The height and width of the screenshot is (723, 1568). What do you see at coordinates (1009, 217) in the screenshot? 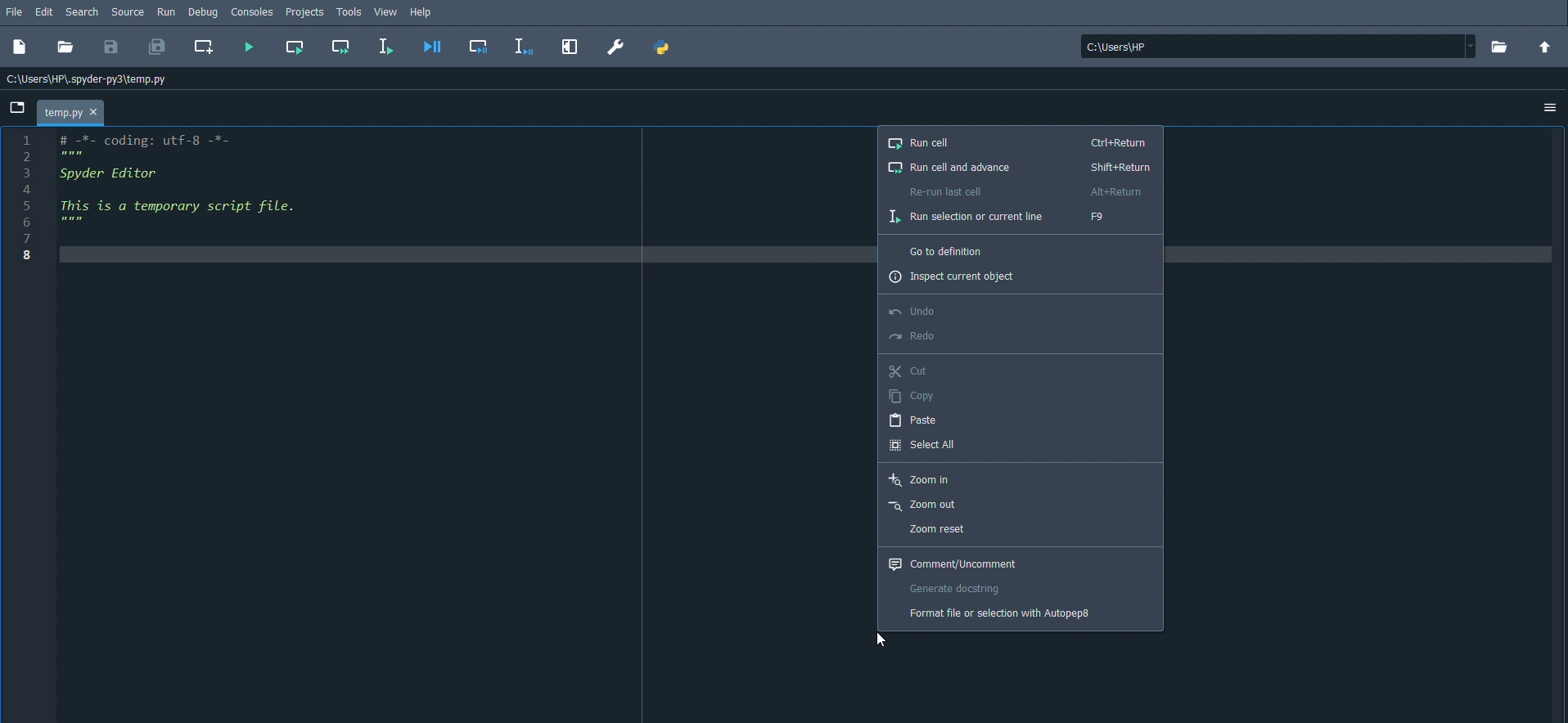
I see `Run selection or current line` at bounding box center [1009, 217].